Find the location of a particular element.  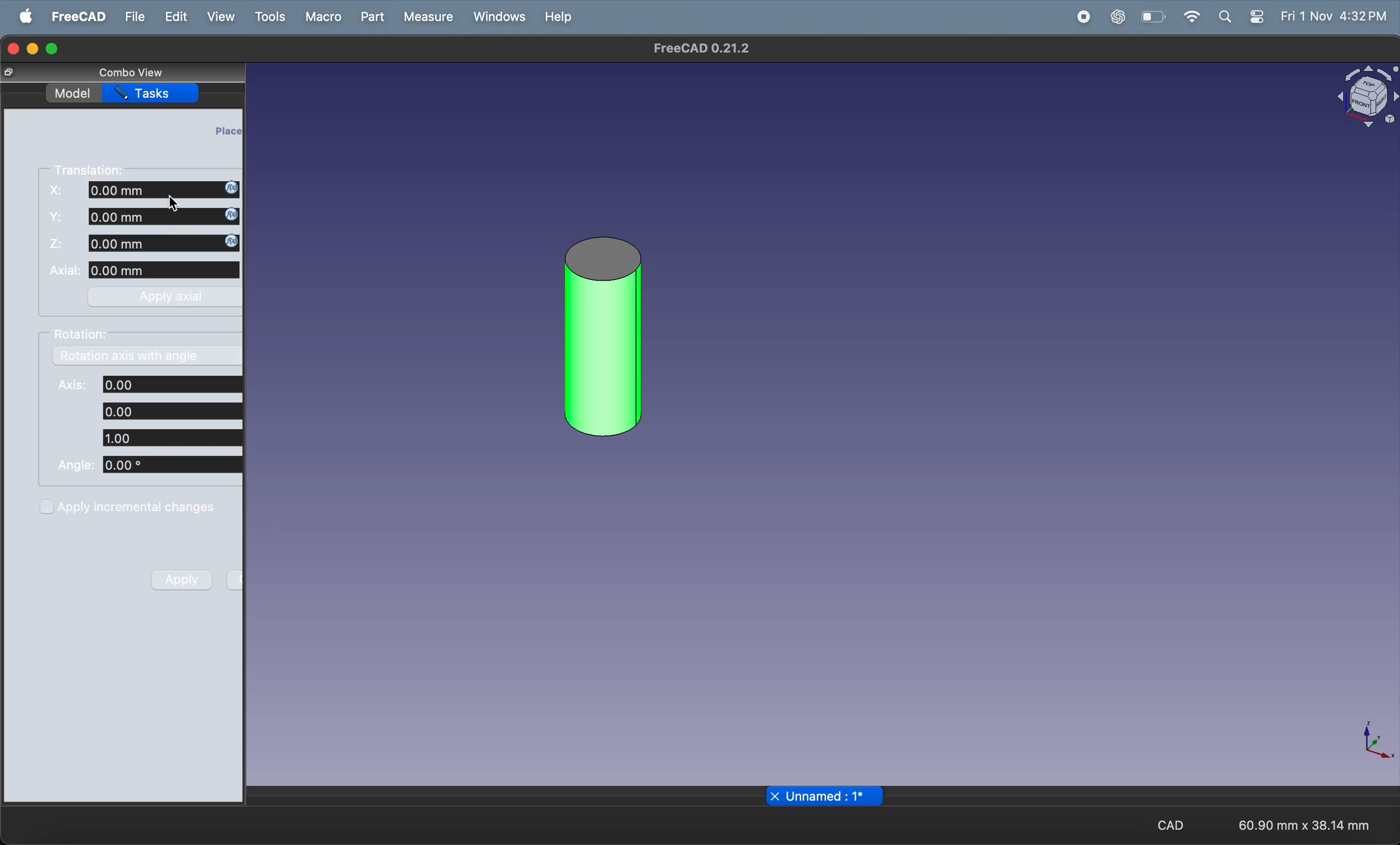

Z: is located at coordinates (58, 243).